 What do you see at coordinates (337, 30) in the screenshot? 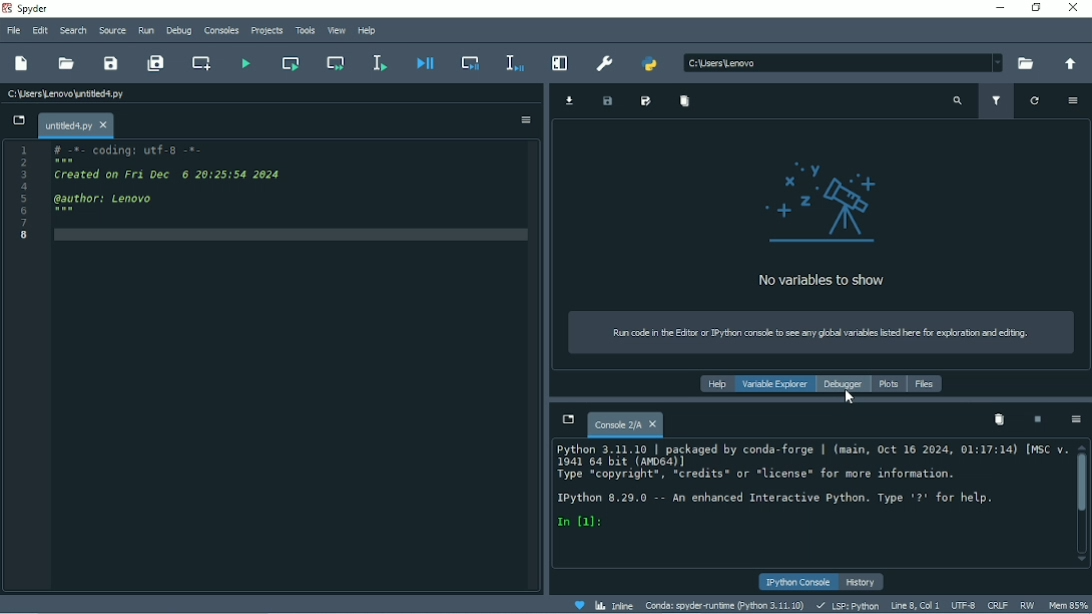
I see `View` at bounding box center [337, 30].